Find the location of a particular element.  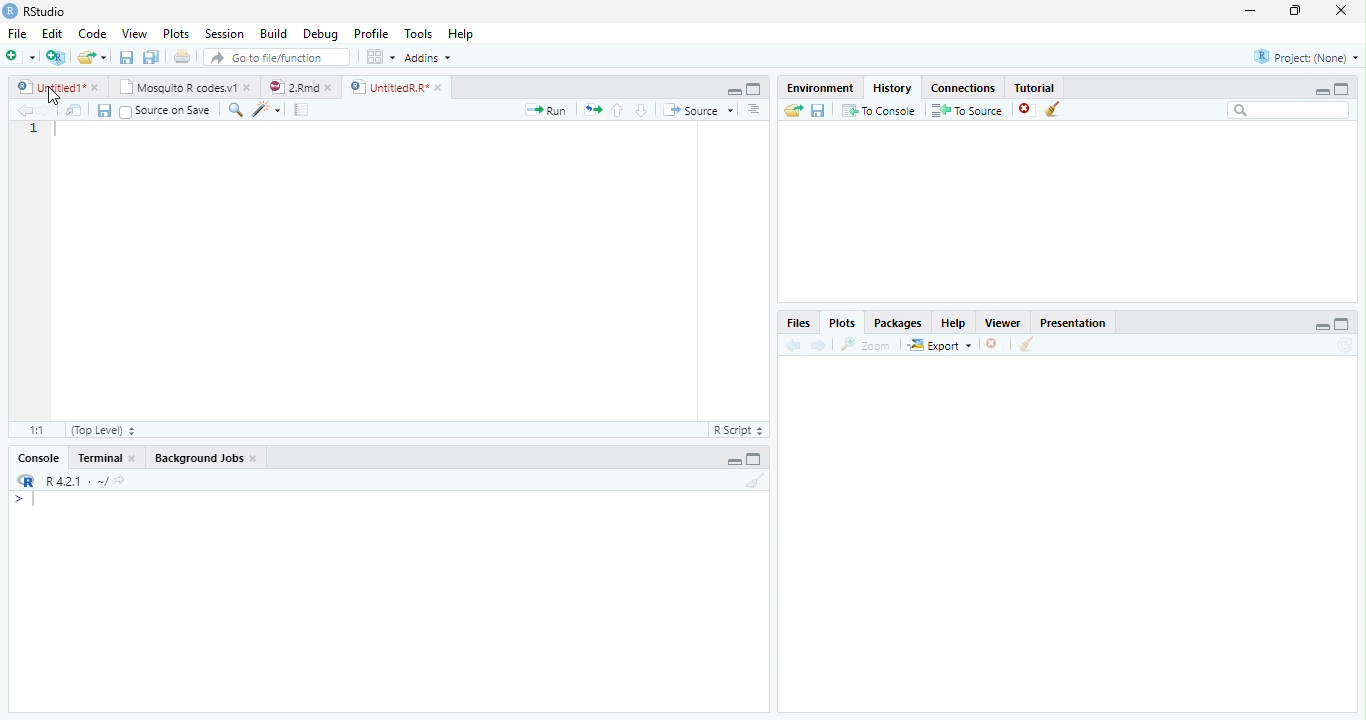

New file is located at coordinates (20, 57).